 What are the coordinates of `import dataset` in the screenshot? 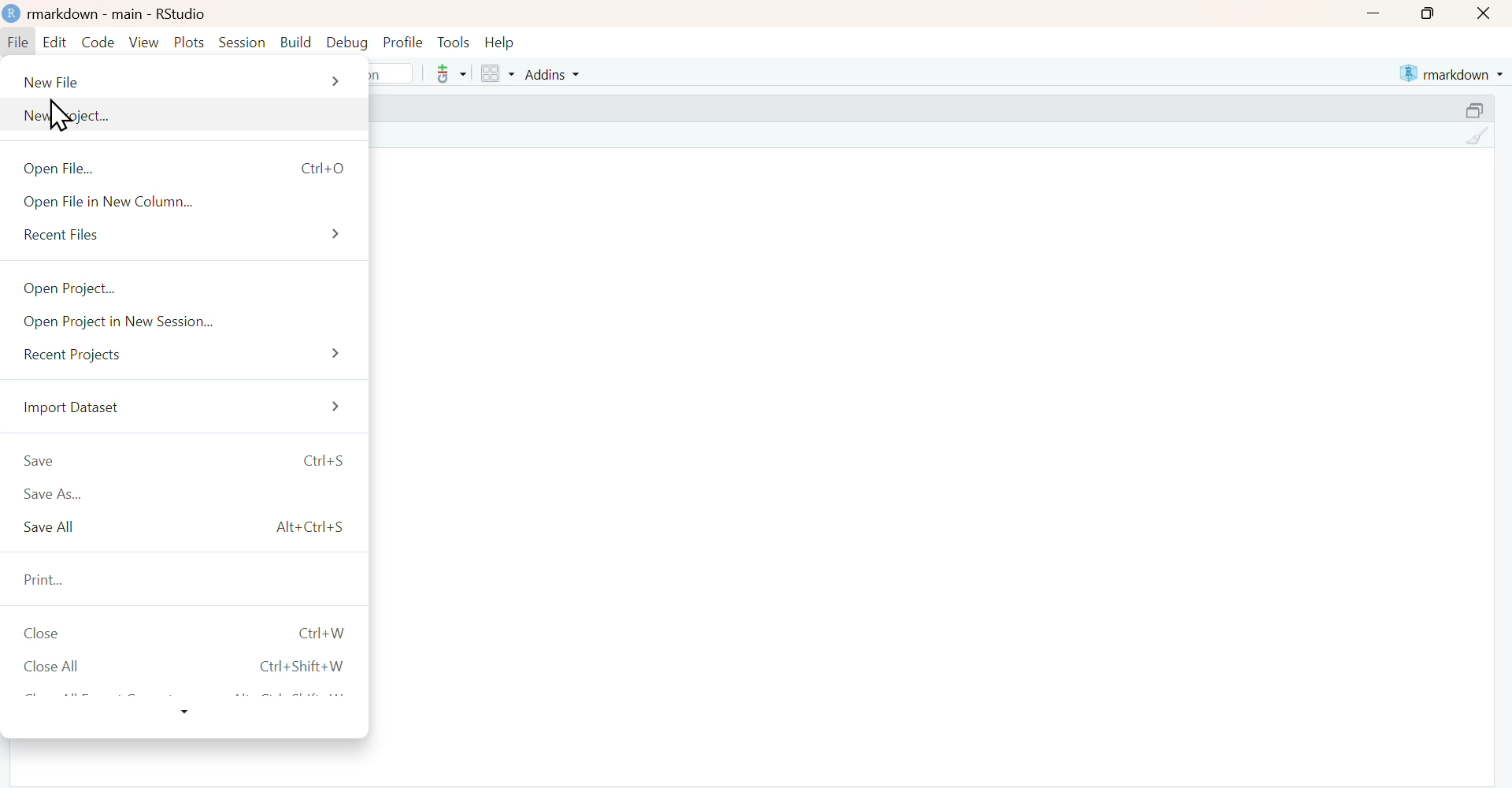 It's located at (190, 408).